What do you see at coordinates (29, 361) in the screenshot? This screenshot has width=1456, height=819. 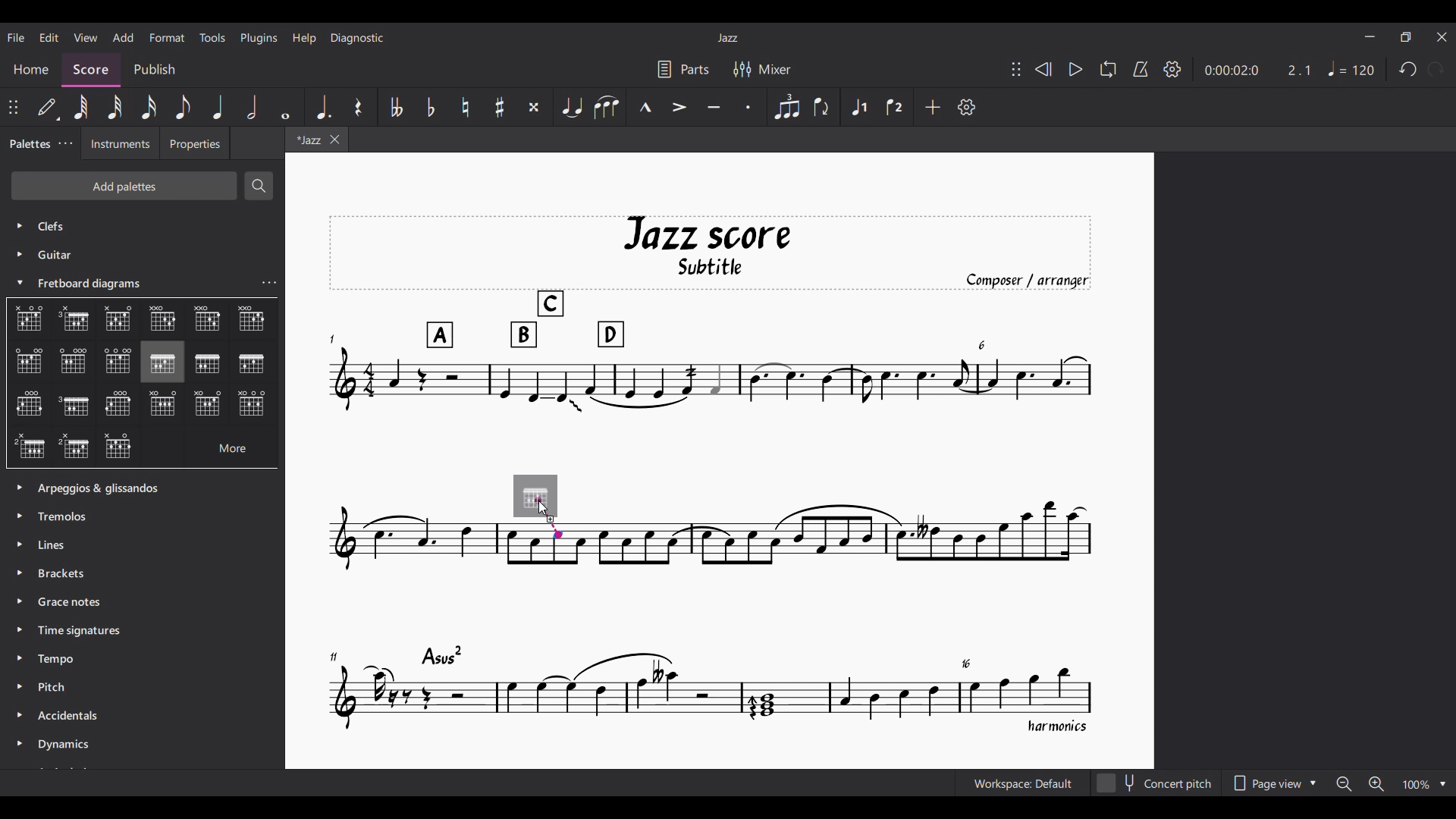 I see `Chart 6` at bounding box center [29, 361].